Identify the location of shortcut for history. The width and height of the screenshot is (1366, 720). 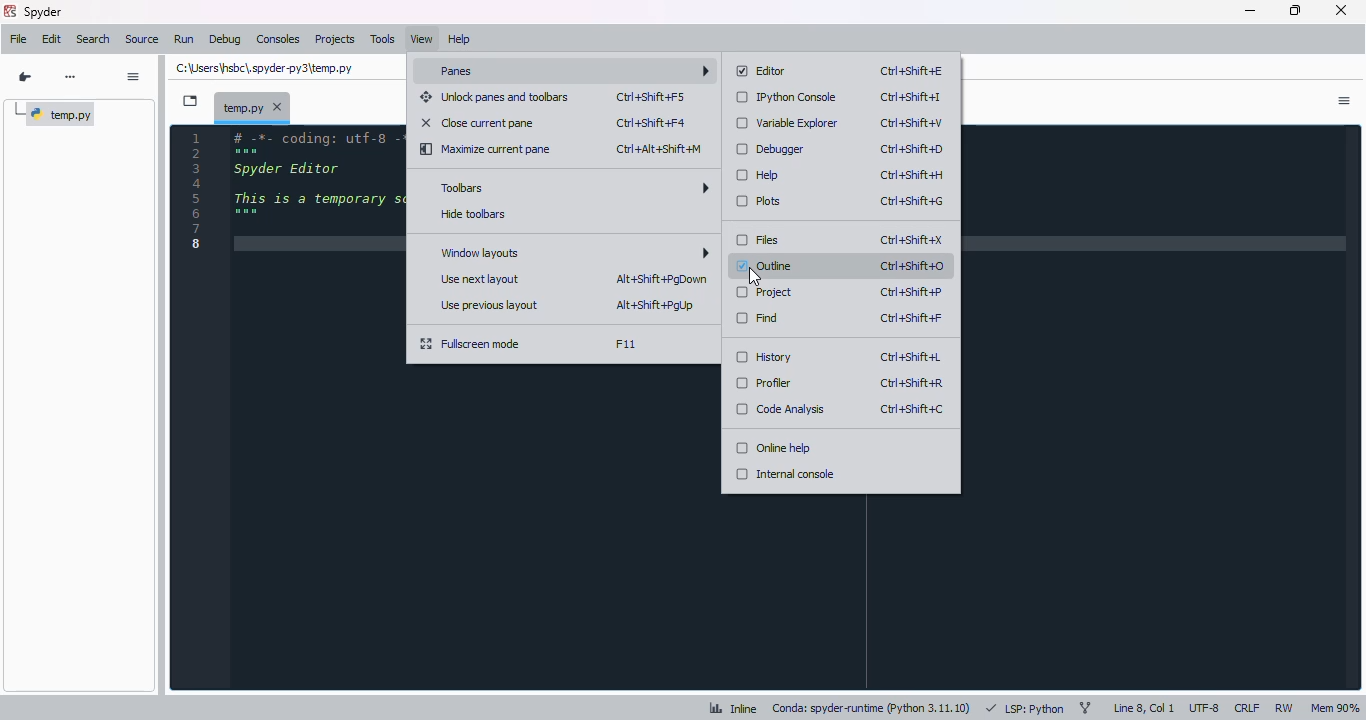
(912, 357).